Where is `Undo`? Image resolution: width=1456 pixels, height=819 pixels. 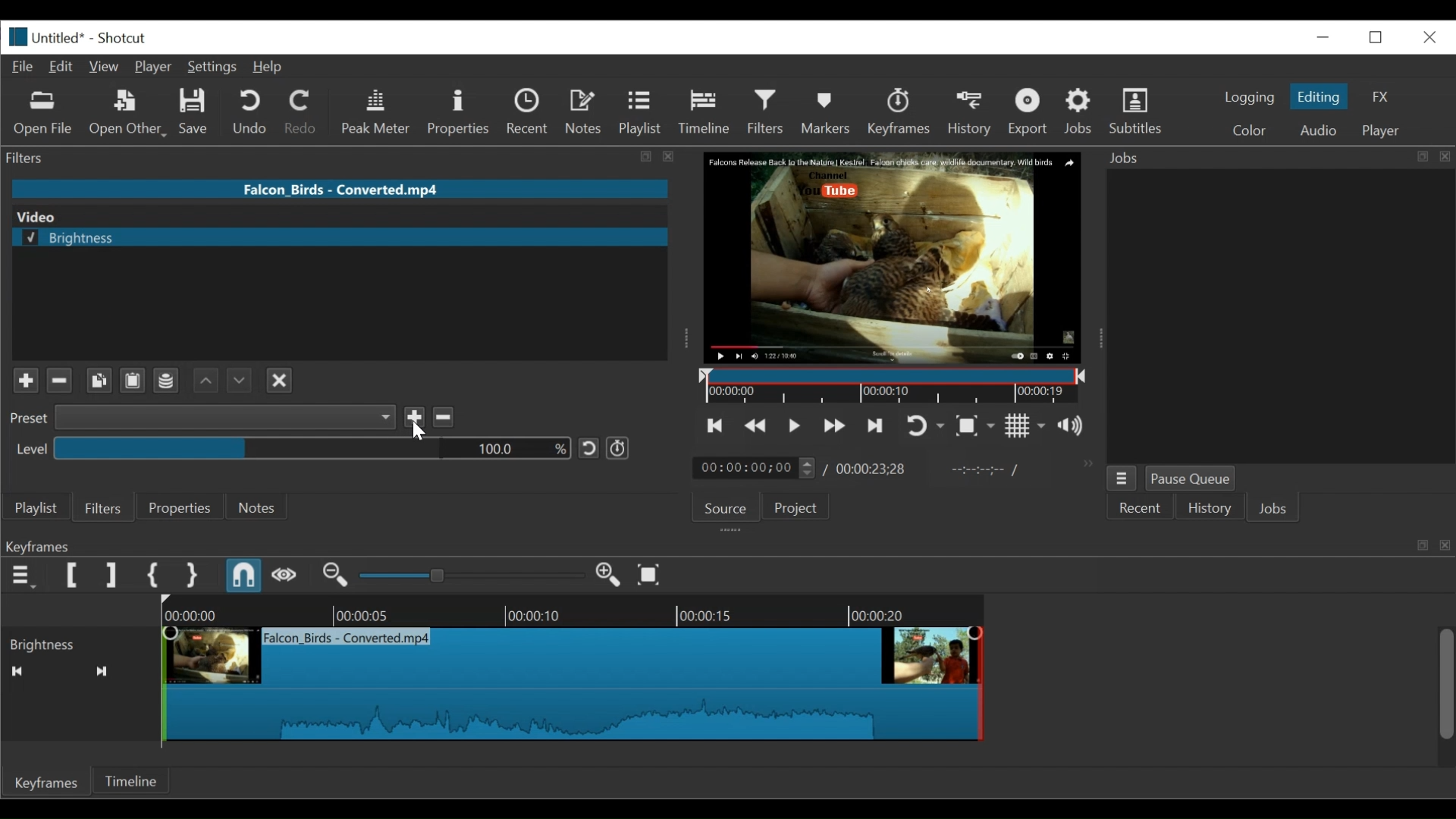
Undo is located at coordinates (253, 113).